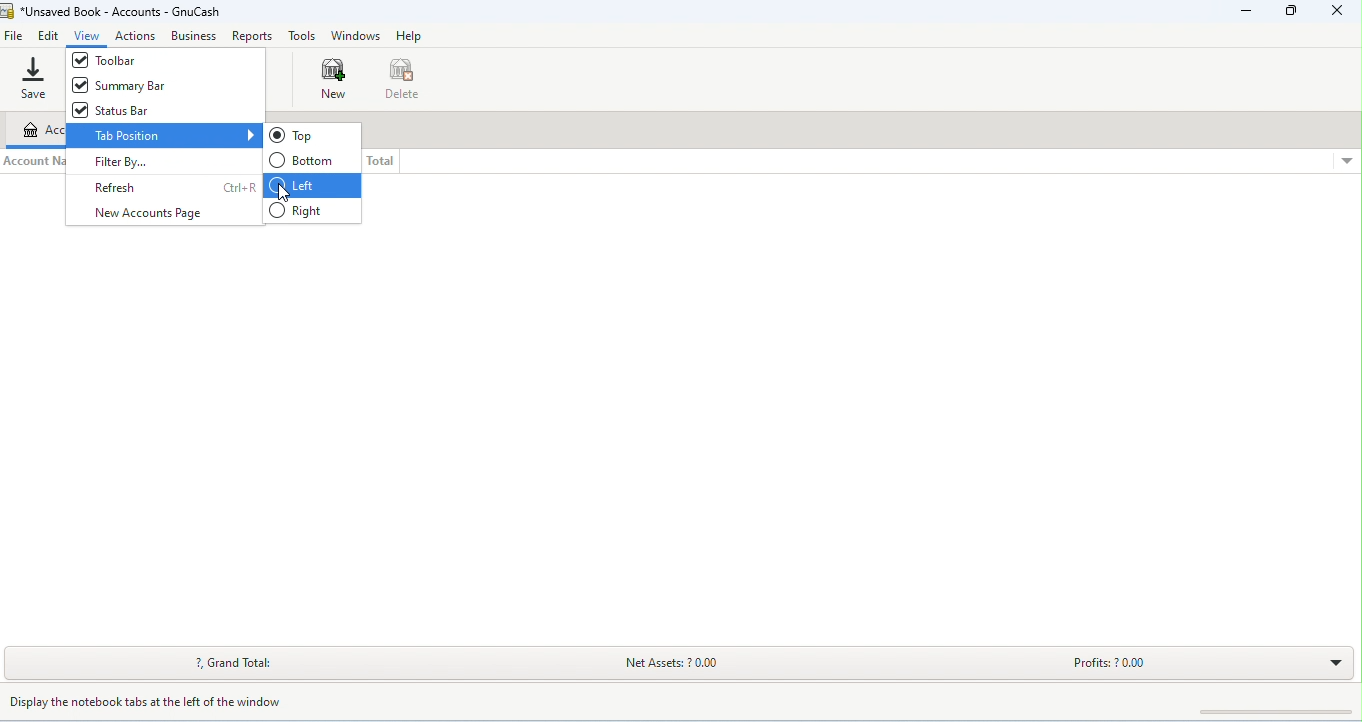  I want to click on top, so click(306, 135).